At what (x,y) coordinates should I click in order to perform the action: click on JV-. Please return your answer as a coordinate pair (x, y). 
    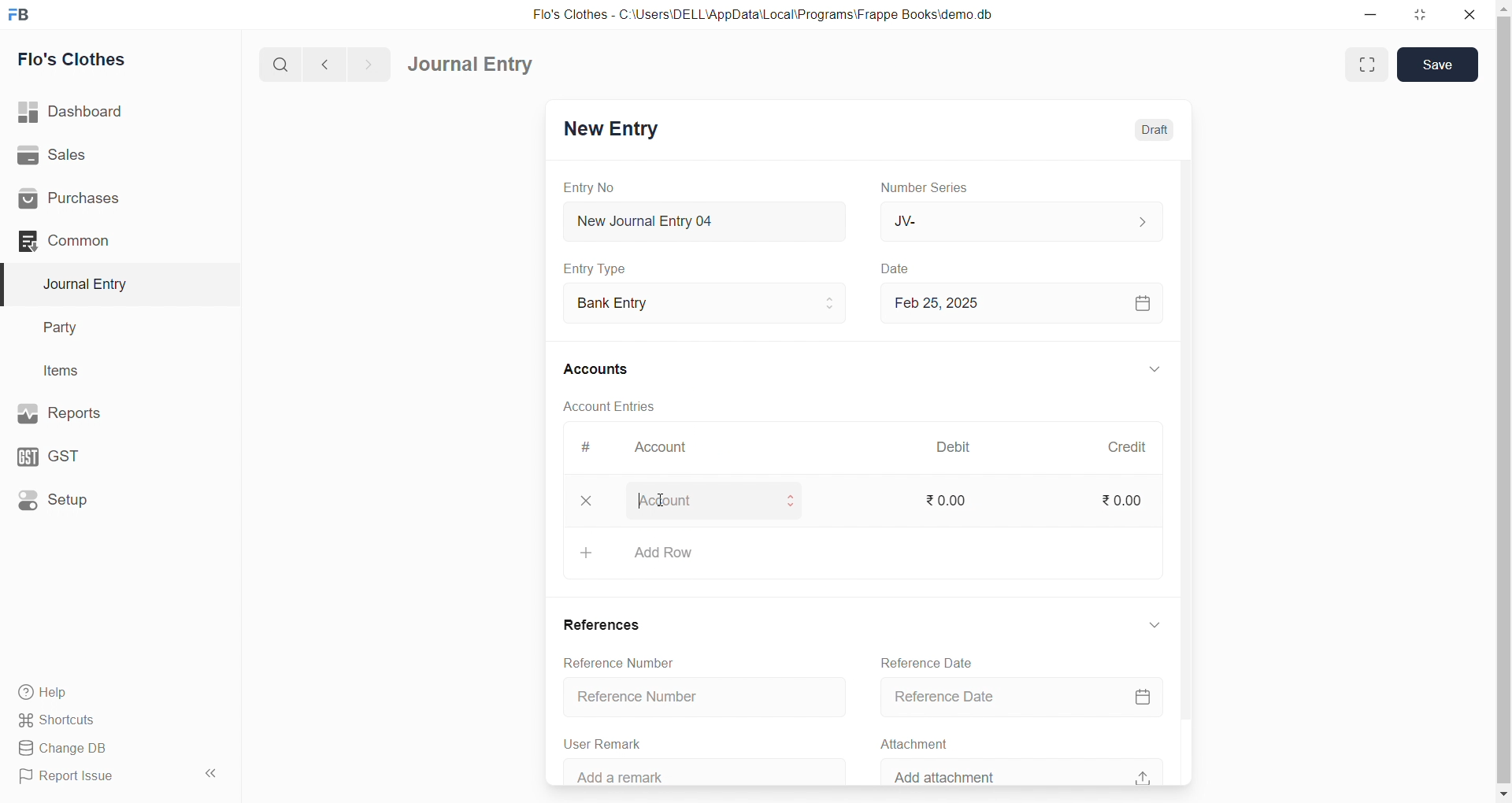
    Looking at the image, I should click on (1027, 220).